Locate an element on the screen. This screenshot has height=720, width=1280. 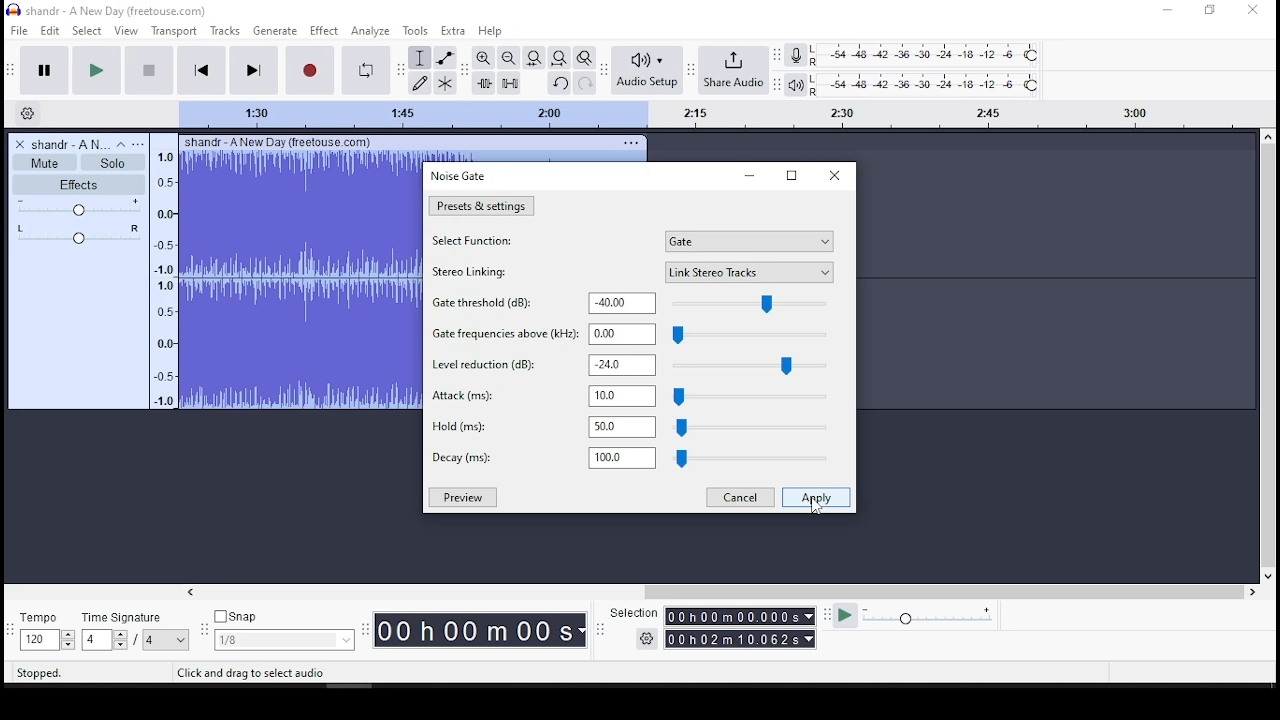
Settings is located at coordinates (29, 114).